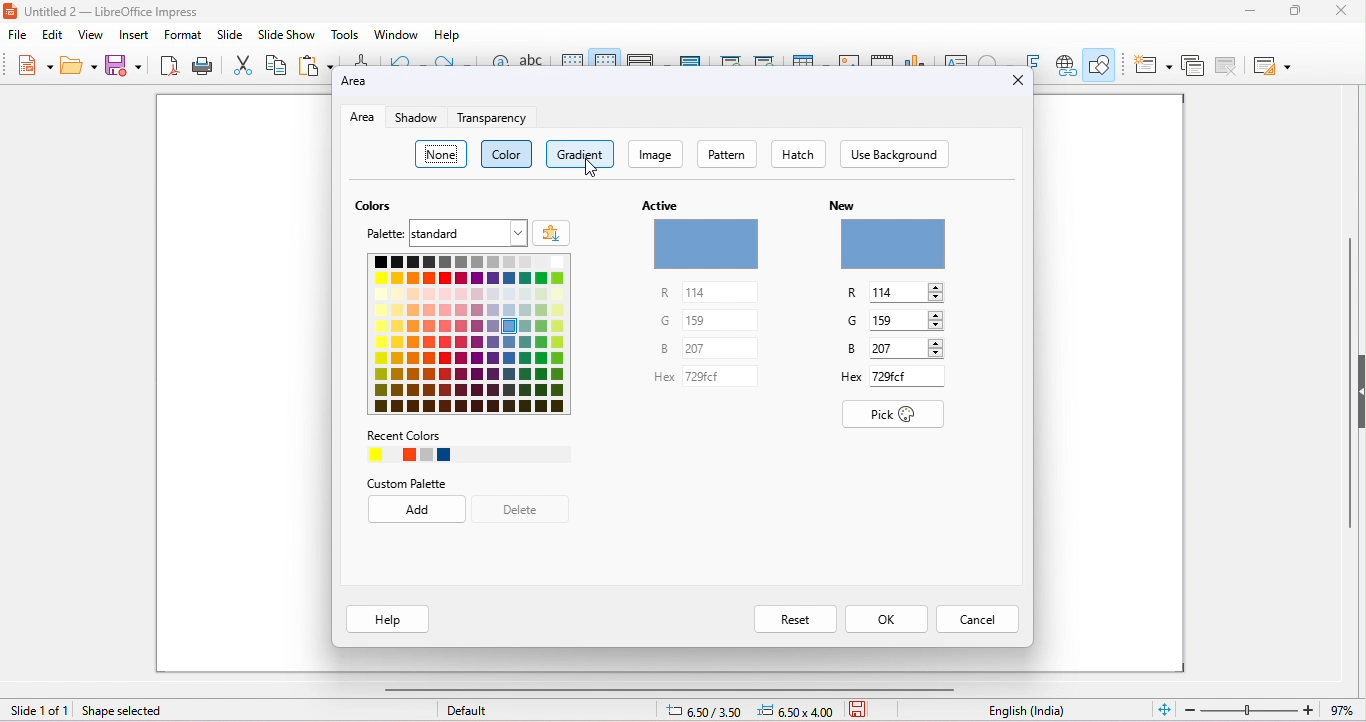 The image size is (1366, 722). I want to click on start from current, so click(764, 58).